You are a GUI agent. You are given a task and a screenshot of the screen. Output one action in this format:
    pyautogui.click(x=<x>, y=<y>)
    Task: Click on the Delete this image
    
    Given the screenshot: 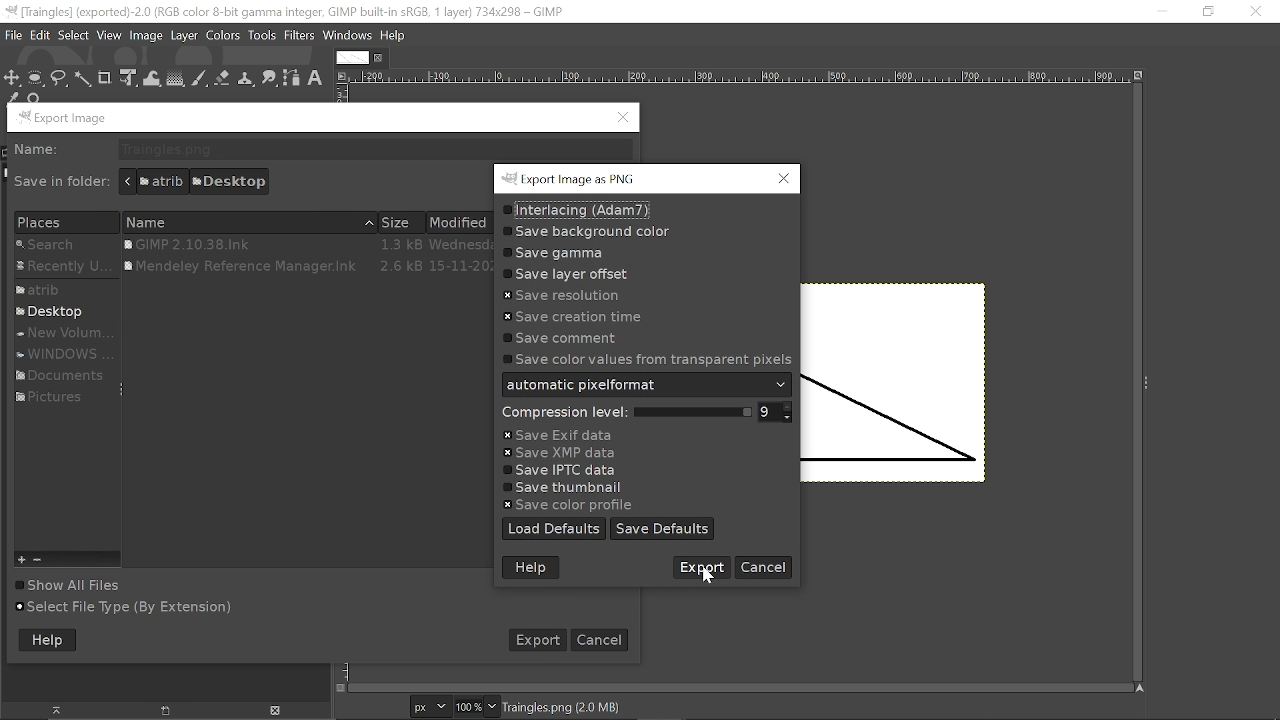 What is the action you would take?
    pyautogui.click(x=277, y=711)
    